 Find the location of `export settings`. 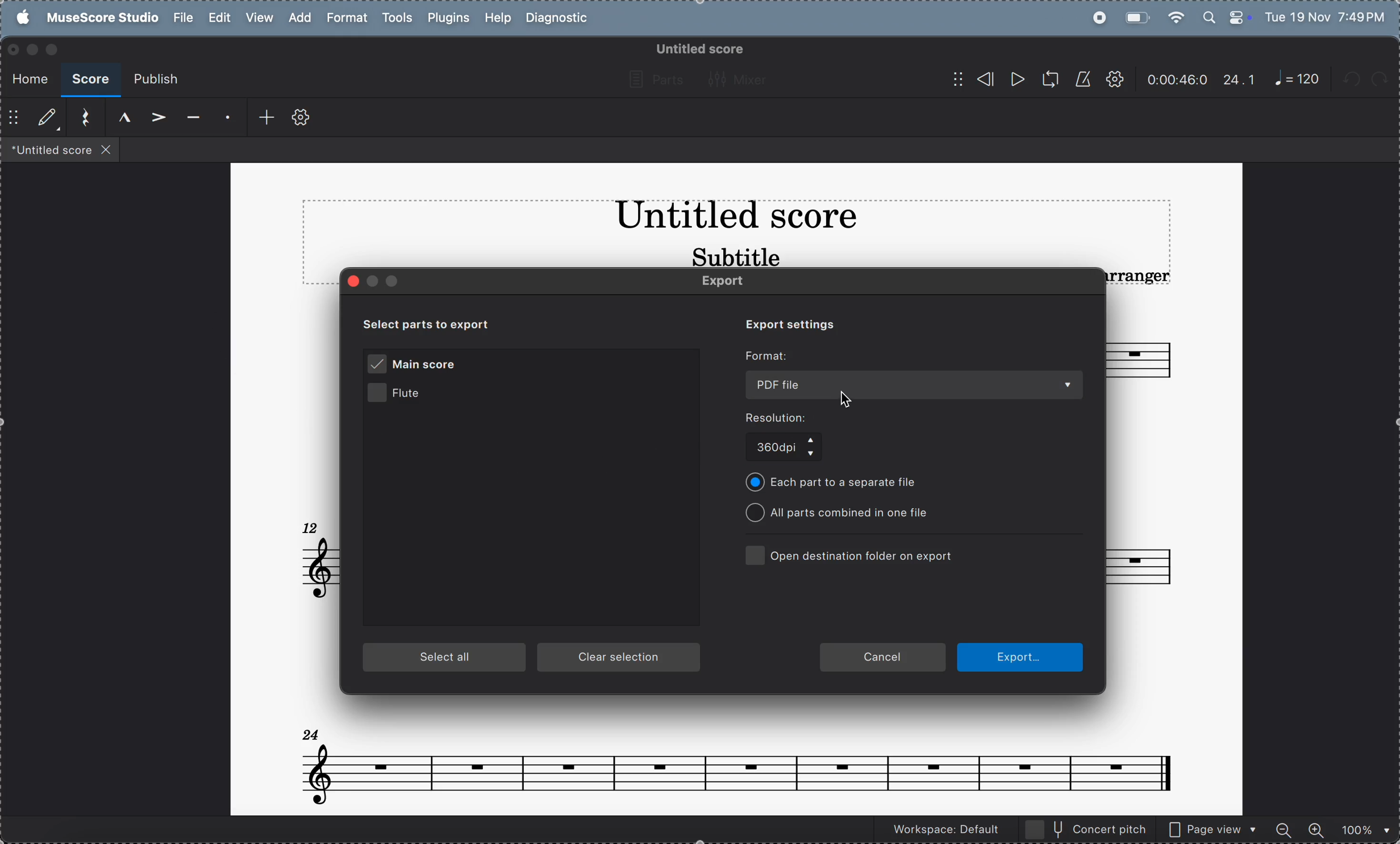

export settings is located at coordinates (784, 323).